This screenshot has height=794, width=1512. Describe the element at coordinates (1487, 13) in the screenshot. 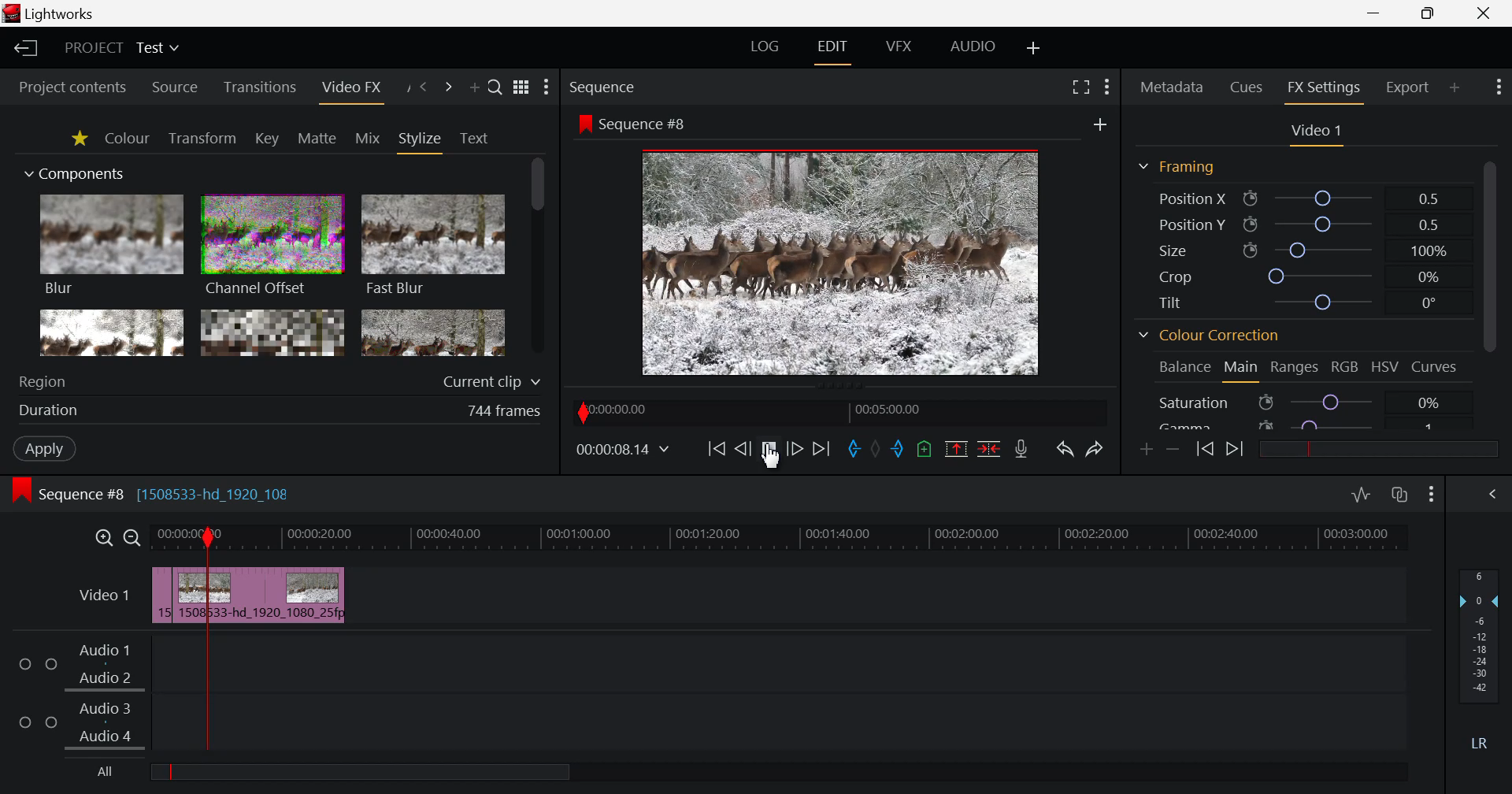

I see `Close` at that location.